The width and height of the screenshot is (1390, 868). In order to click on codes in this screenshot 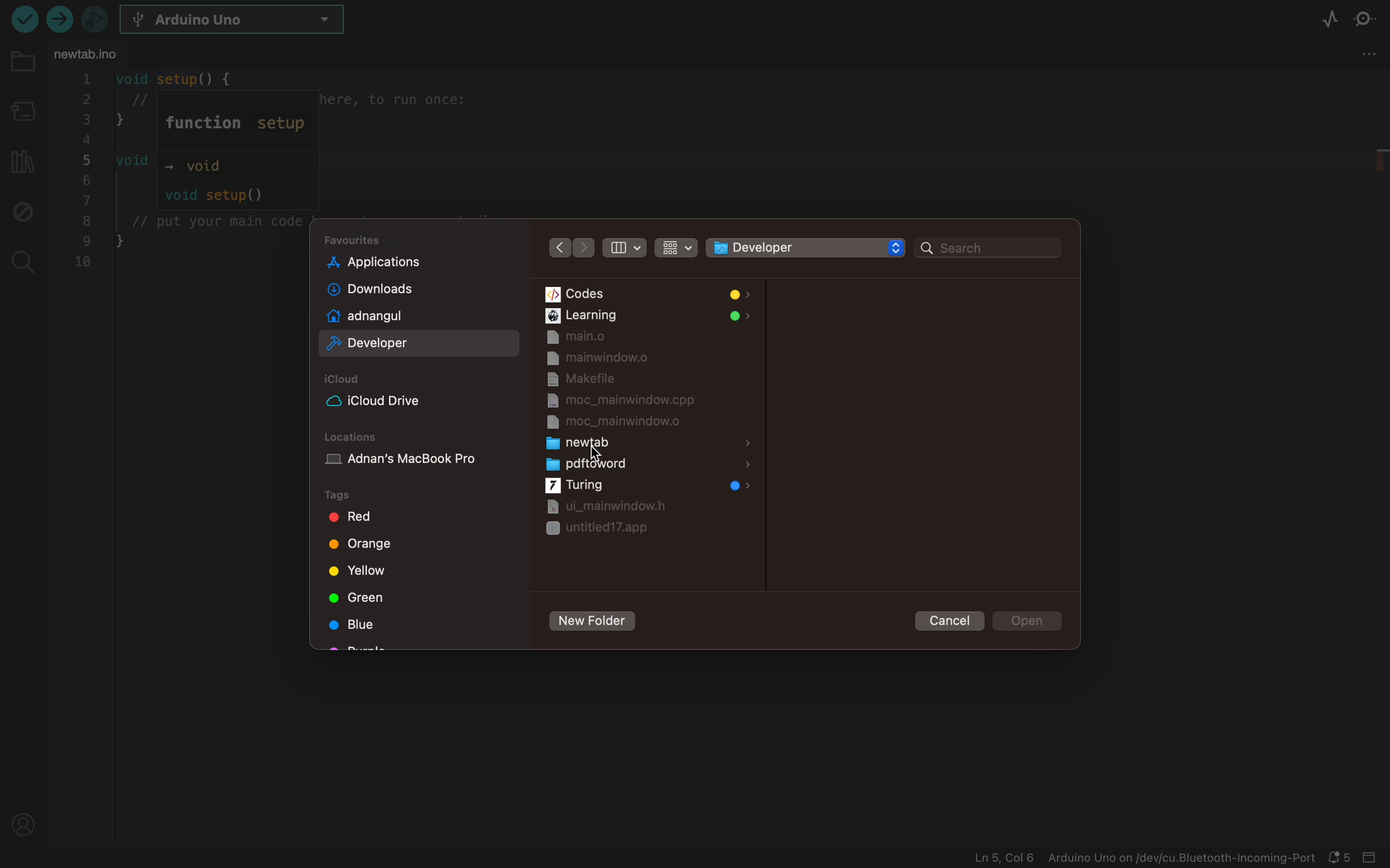, I will do `click(647, 294)`.